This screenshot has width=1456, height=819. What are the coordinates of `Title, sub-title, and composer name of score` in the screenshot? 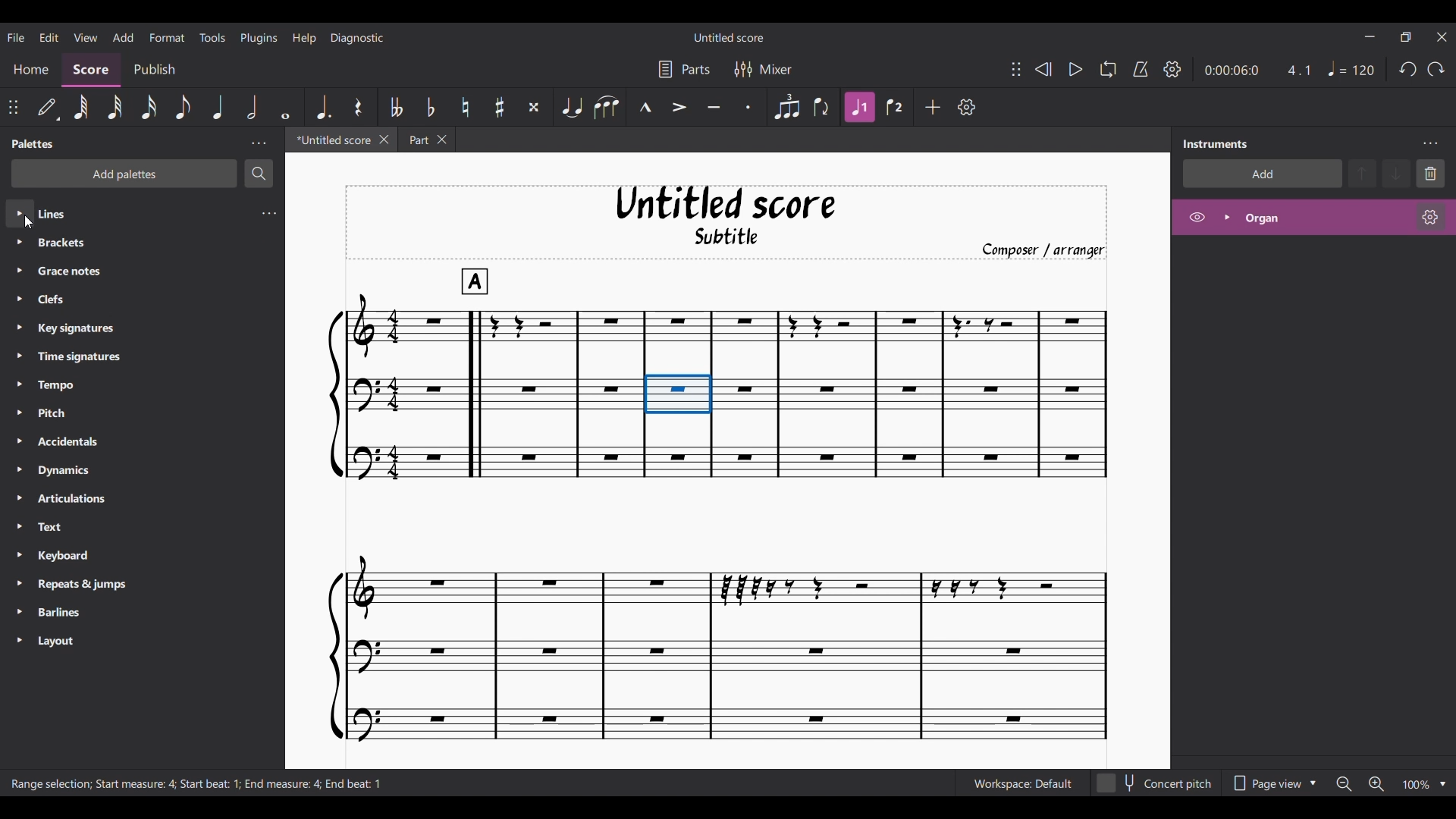 It's located at (727, 222).